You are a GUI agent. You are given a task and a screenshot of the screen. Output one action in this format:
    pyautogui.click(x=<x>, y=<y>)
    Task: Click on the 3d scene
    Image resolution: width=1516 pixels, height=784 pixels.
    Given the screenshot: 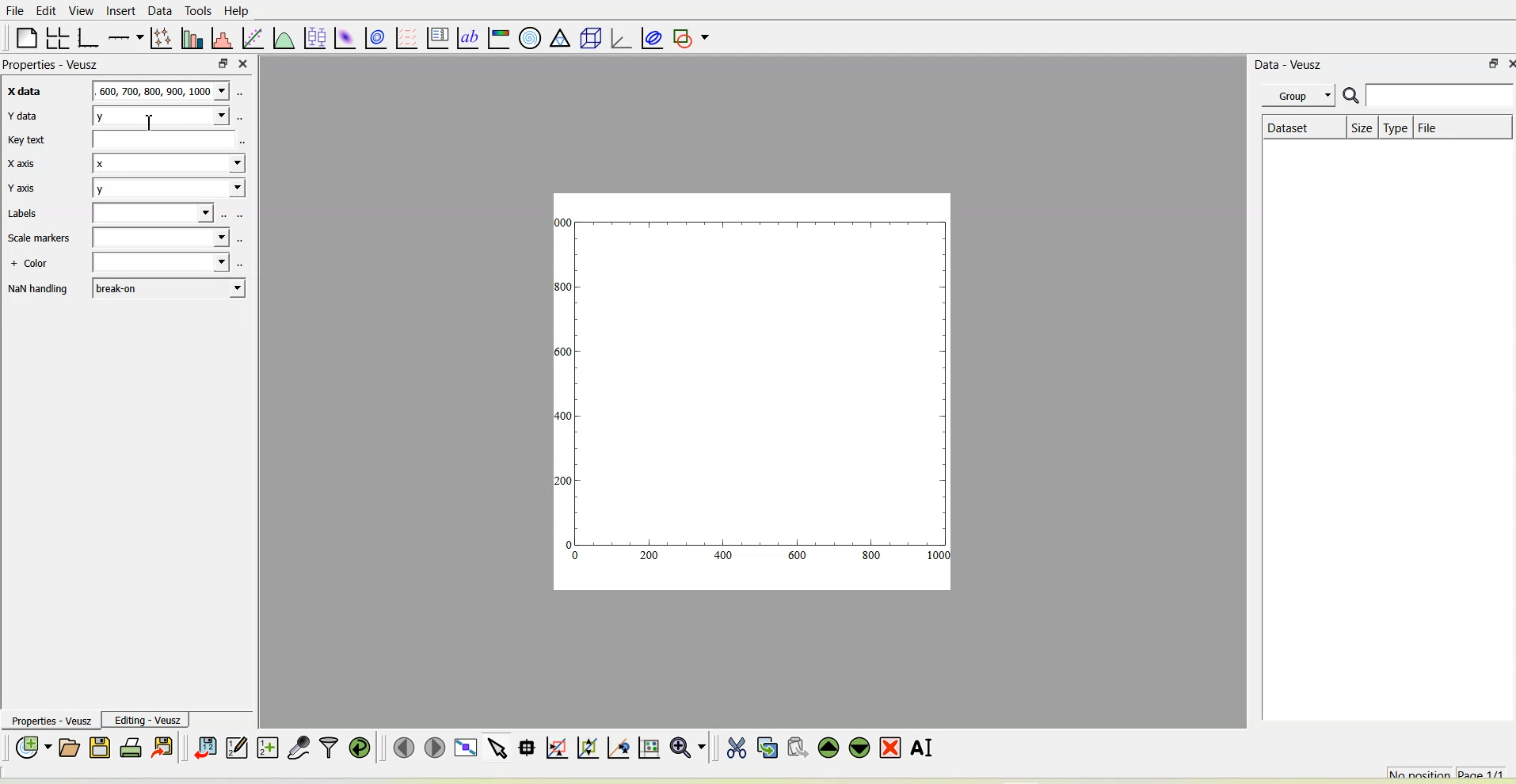 What is the action you would take?
    pyautogui.click(x=588, y=37)
    